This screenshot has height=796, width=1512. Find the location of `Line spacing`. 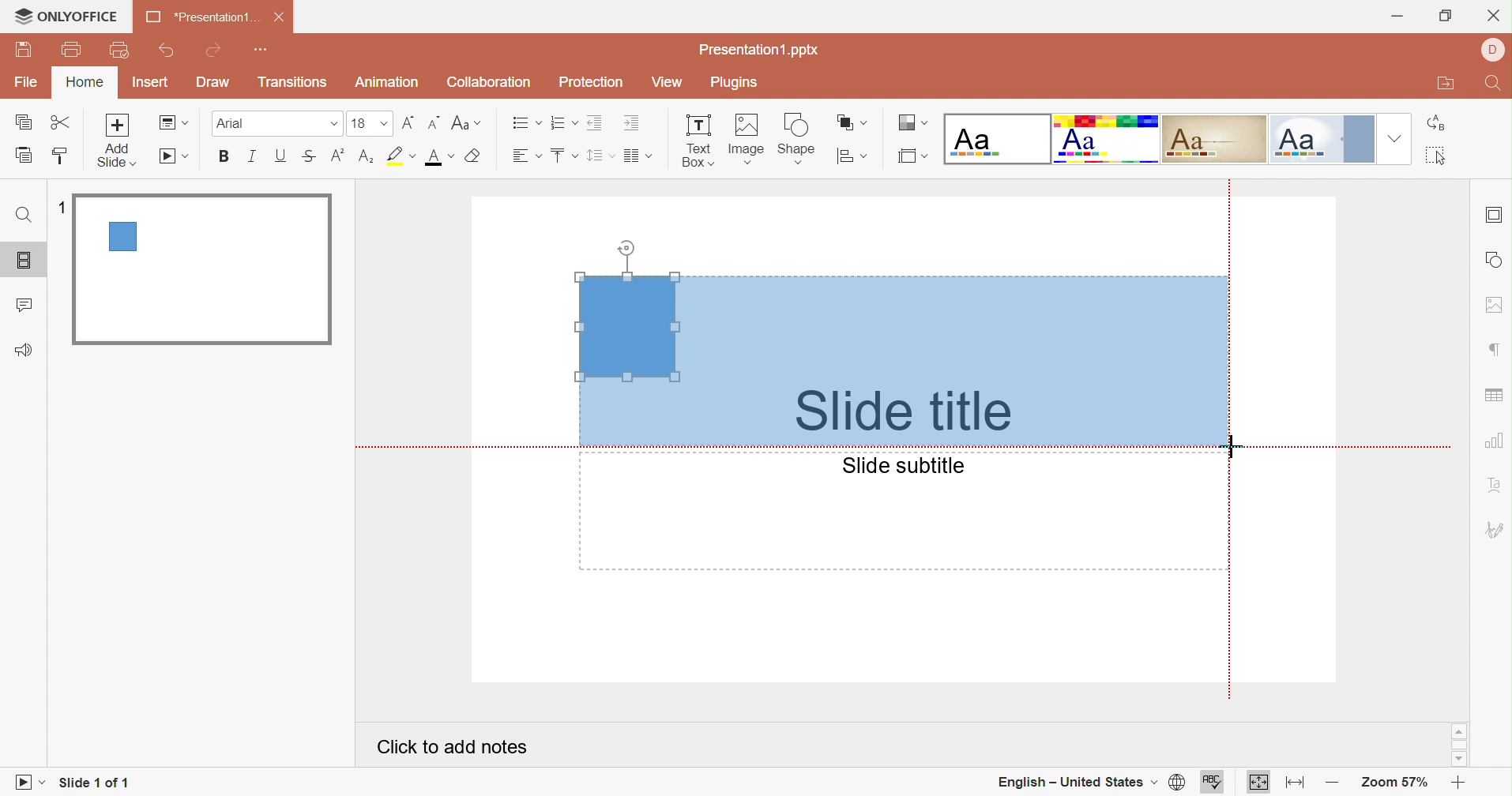

Line spacing is located at coordinates (601, 156).